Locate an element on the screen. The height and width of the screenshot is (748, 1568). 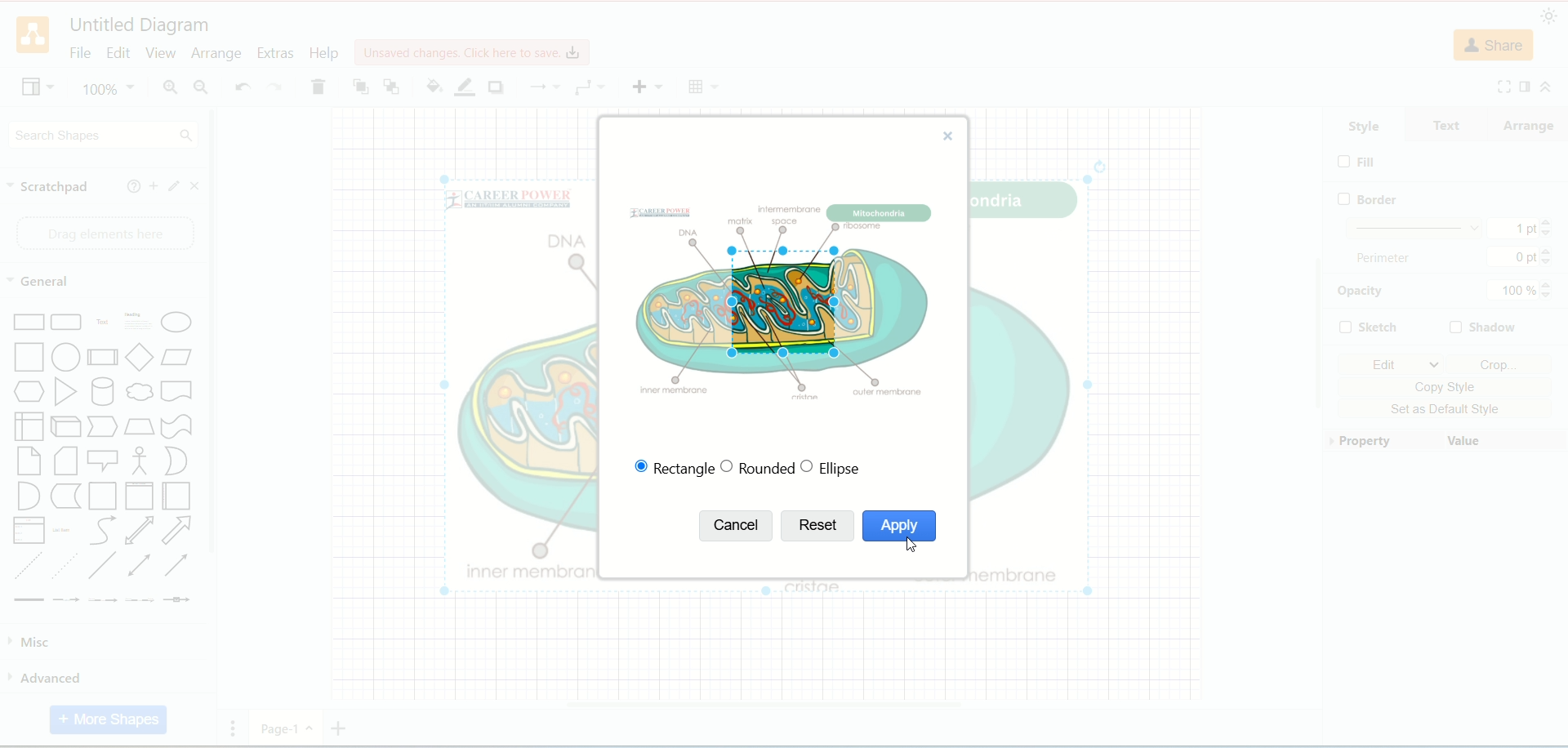
zoom in is located at coordinates (170, 88).